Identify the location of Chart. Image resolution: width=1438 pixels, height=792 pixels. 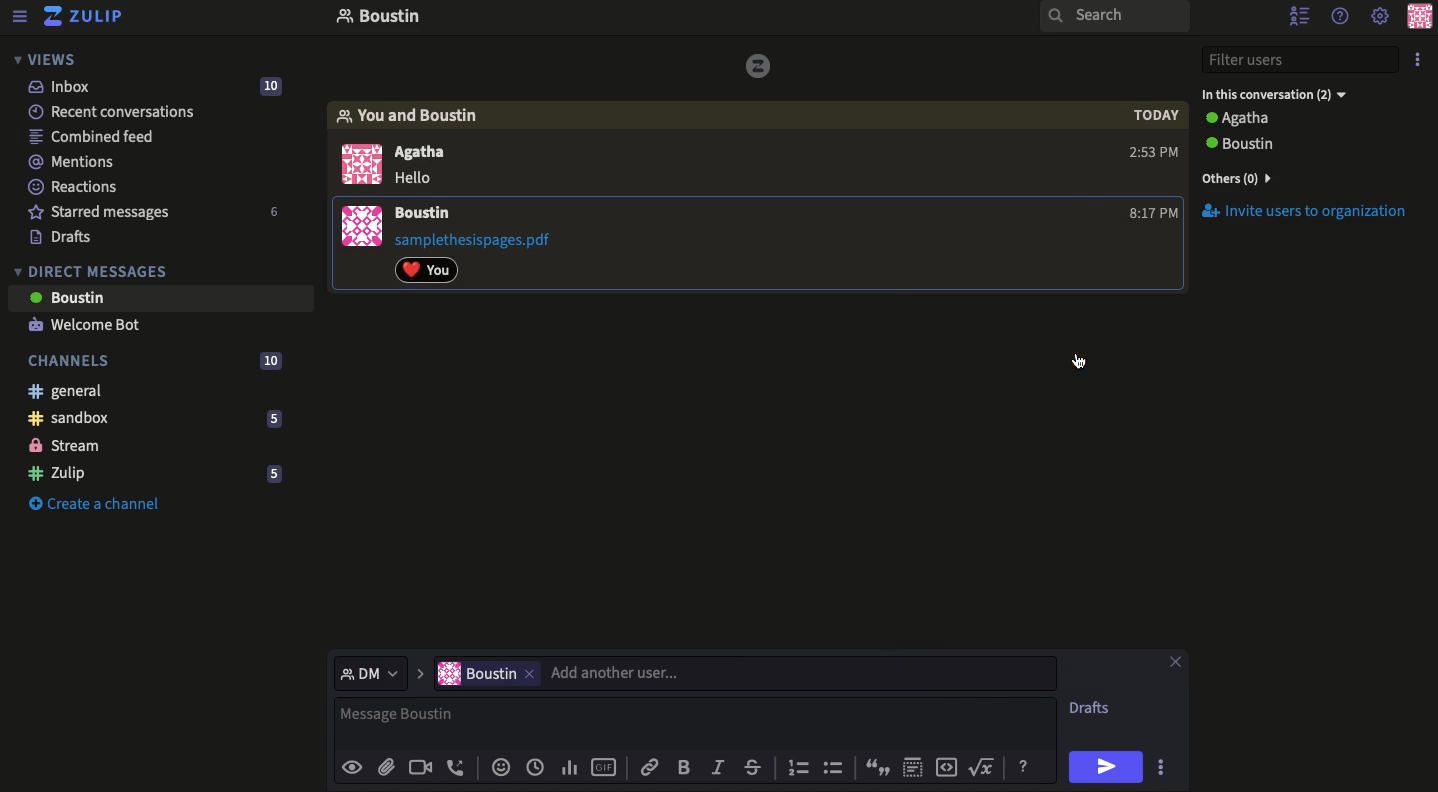
(570, 766).